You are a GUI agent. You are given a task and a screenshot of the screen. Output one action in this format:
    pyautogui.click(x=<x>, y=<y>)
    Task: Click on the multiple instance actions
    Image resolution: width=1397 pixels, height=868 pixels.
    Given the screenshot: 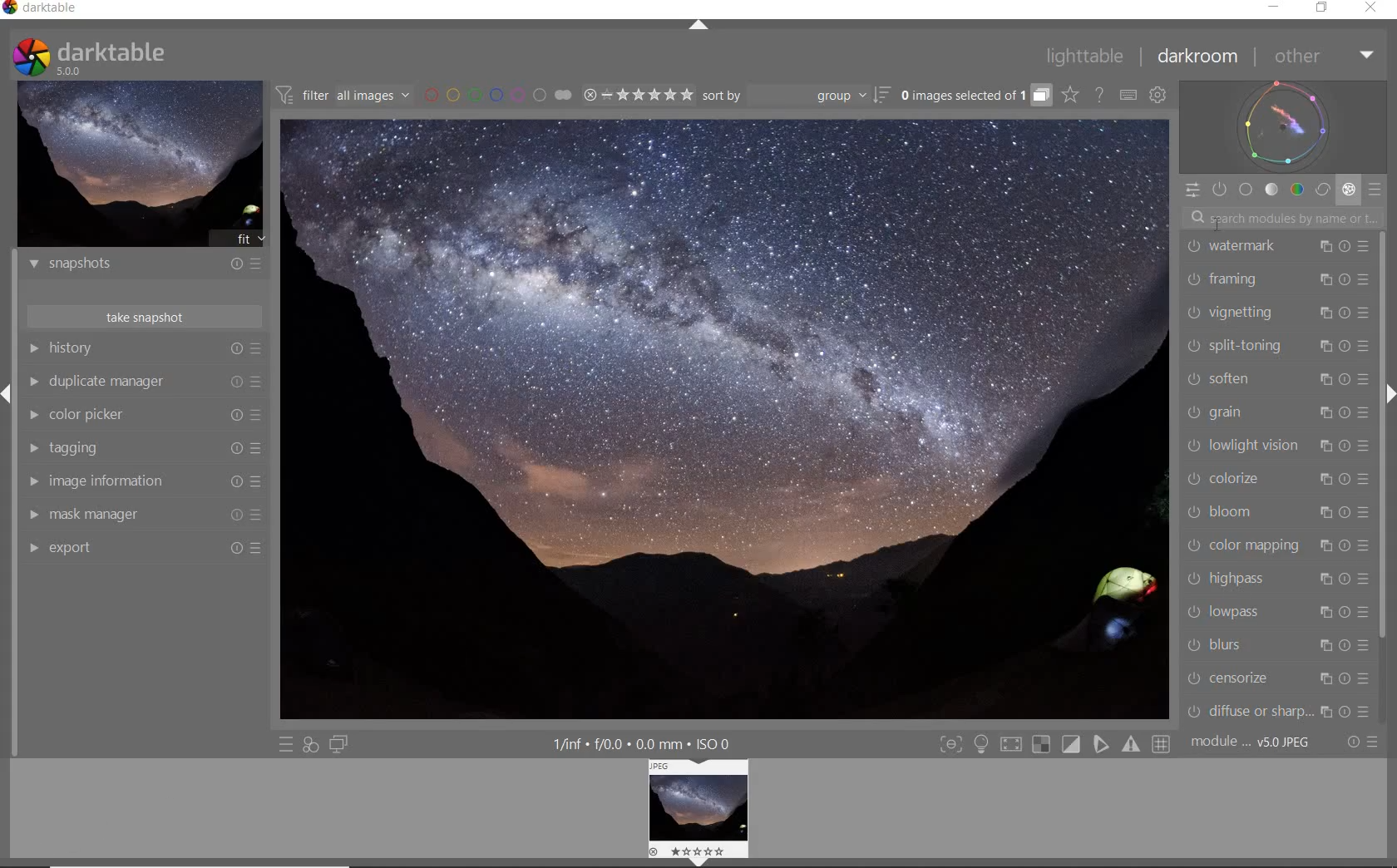 What is the action you would take?
    pyautogui.click(x=1323, y=646)
    